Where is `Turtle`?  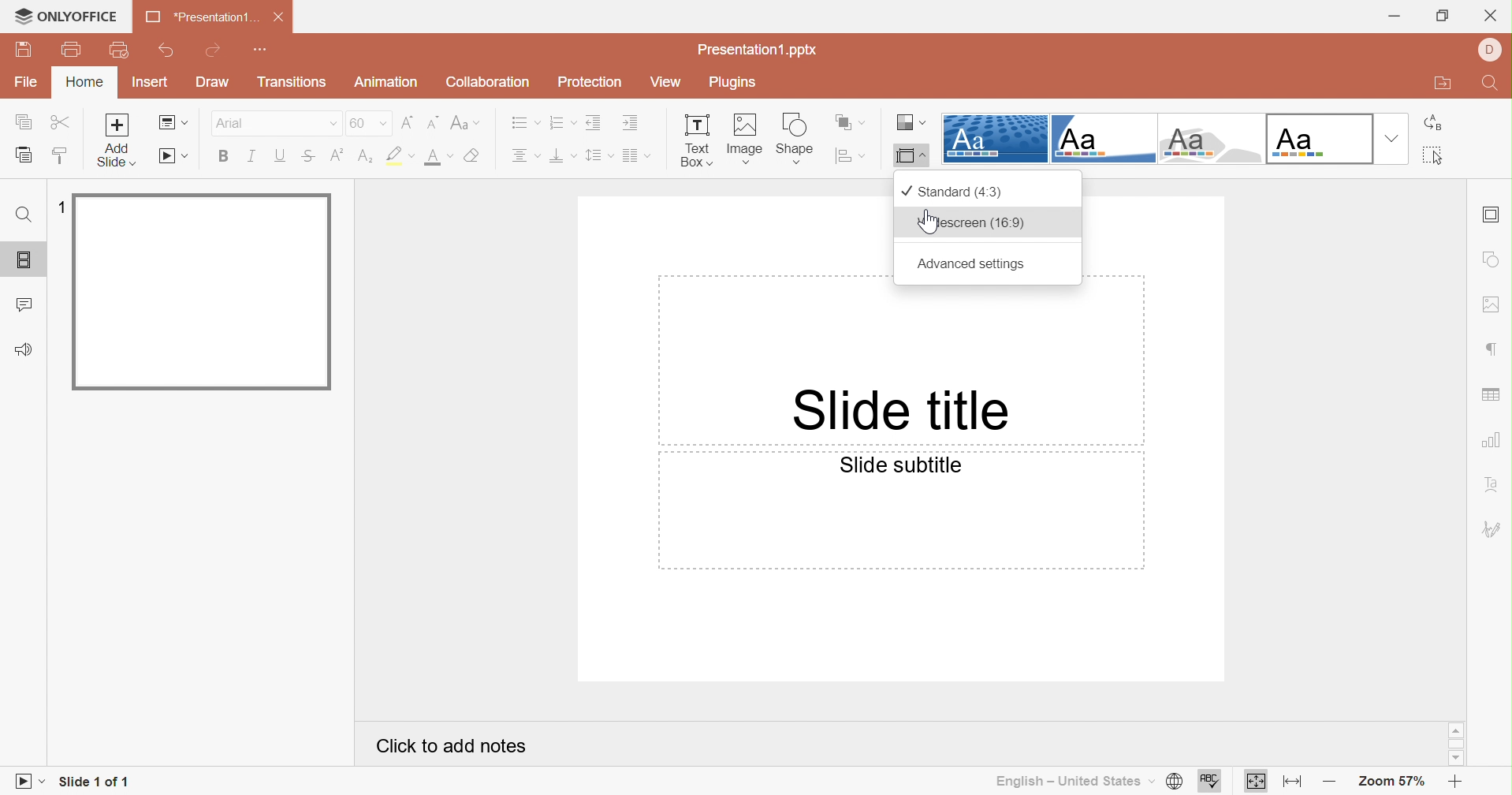
Turtle is located at coordinates (1207, 139).